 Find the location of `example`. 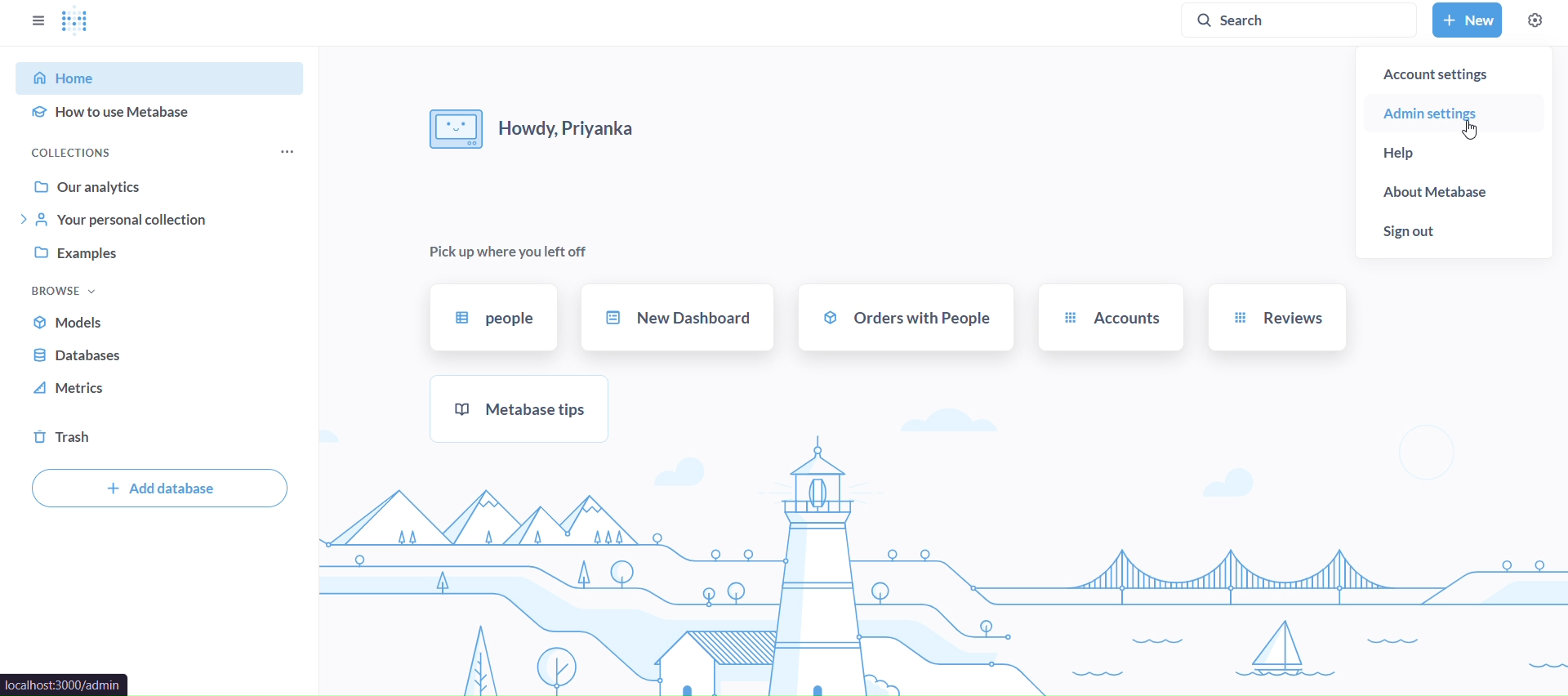

example is located at coordinates (165, 256).